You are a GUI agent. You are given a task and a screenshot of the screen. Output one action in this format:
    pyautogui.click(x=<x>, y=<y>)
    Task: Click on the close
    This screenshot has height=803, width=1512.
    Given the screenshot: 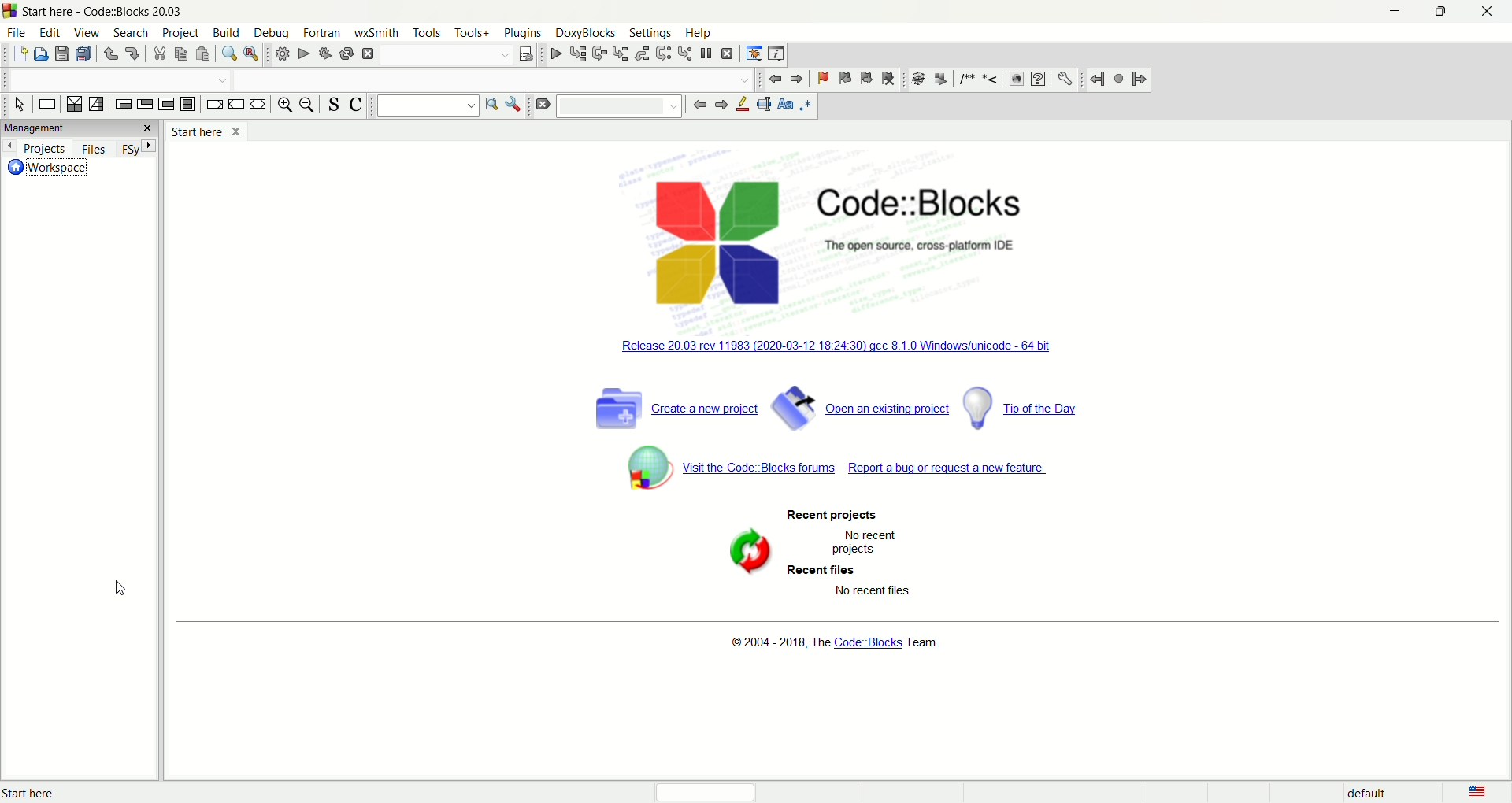 What is the action you would take?
    pyautogui.click(x=141, y=128)
    